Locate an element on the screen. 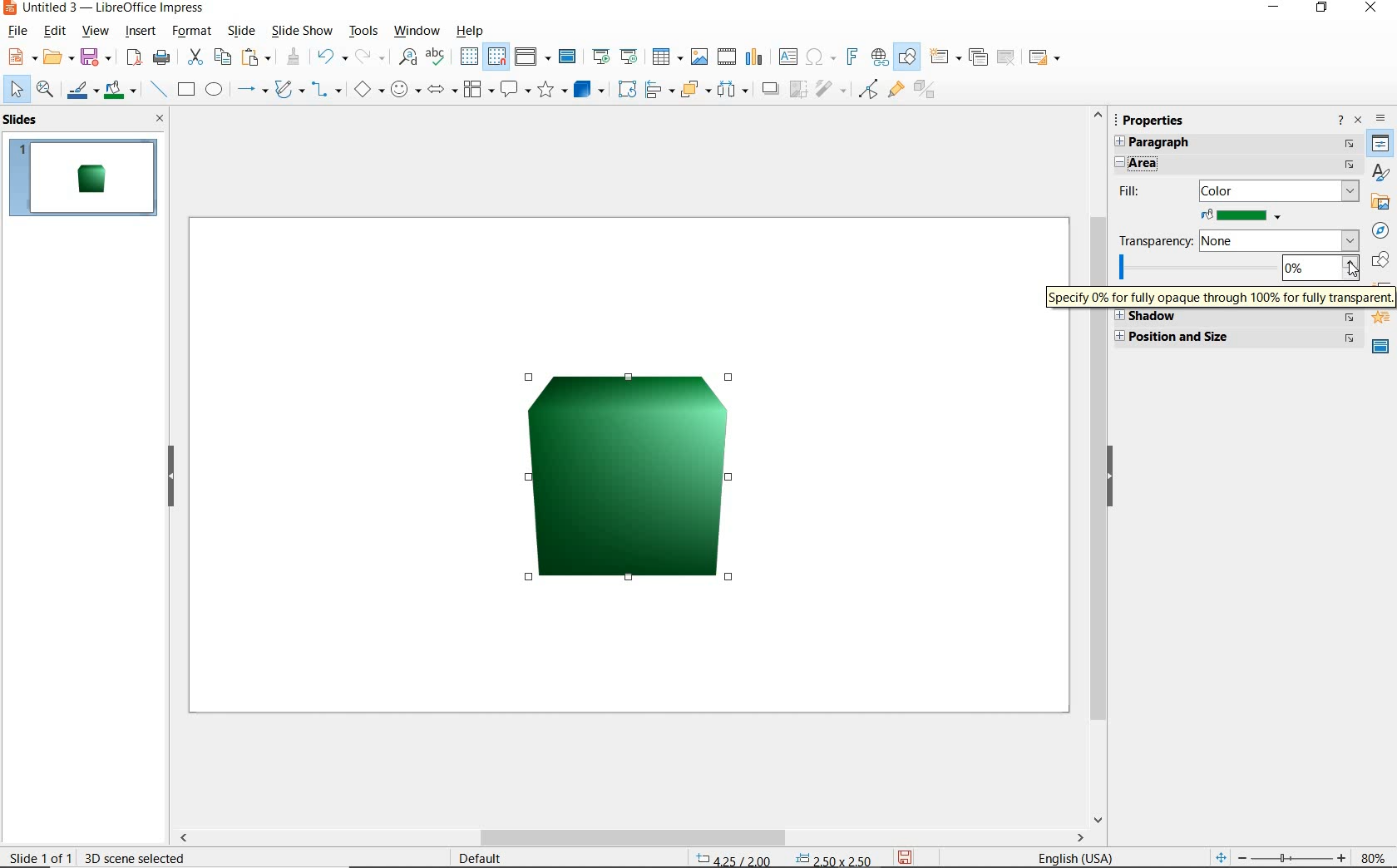  ZOOM OUT OR ZOOM IN is located at coordinates (1277, 856).